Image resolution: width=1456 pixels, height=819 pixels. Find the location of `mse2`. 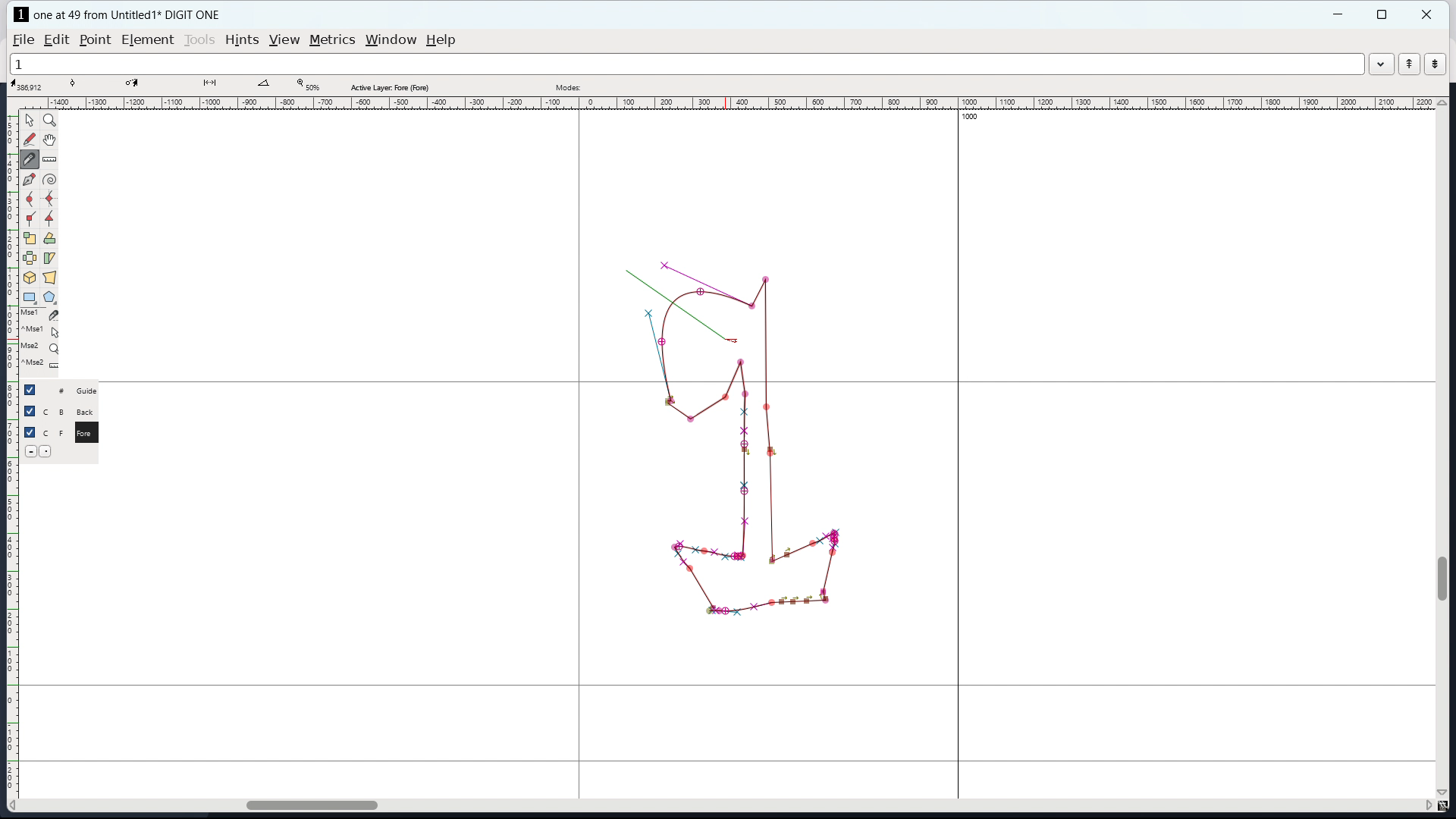

mse2 is located at coordinates (44, 345).